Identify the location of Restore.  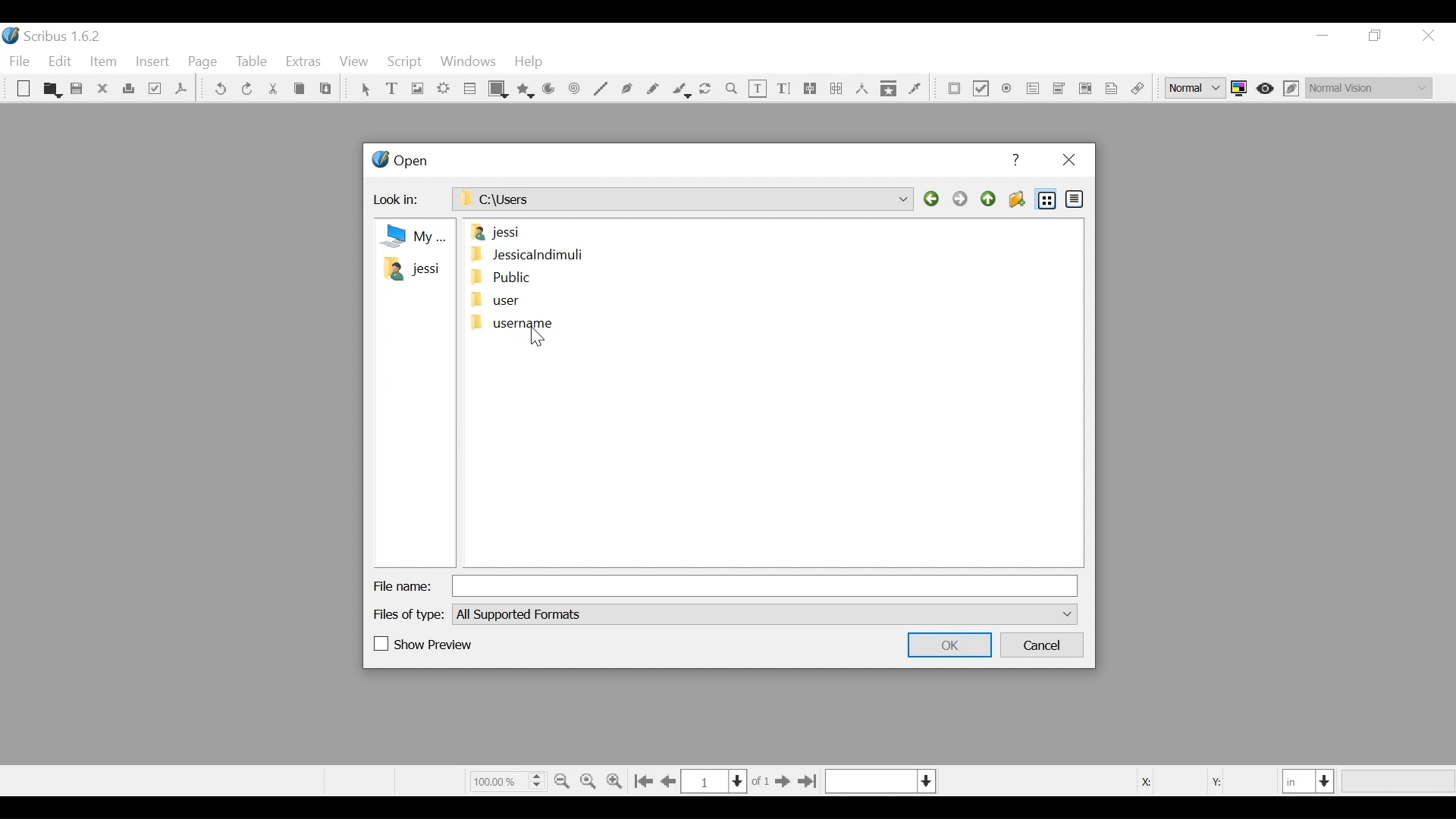
(1376, 36).